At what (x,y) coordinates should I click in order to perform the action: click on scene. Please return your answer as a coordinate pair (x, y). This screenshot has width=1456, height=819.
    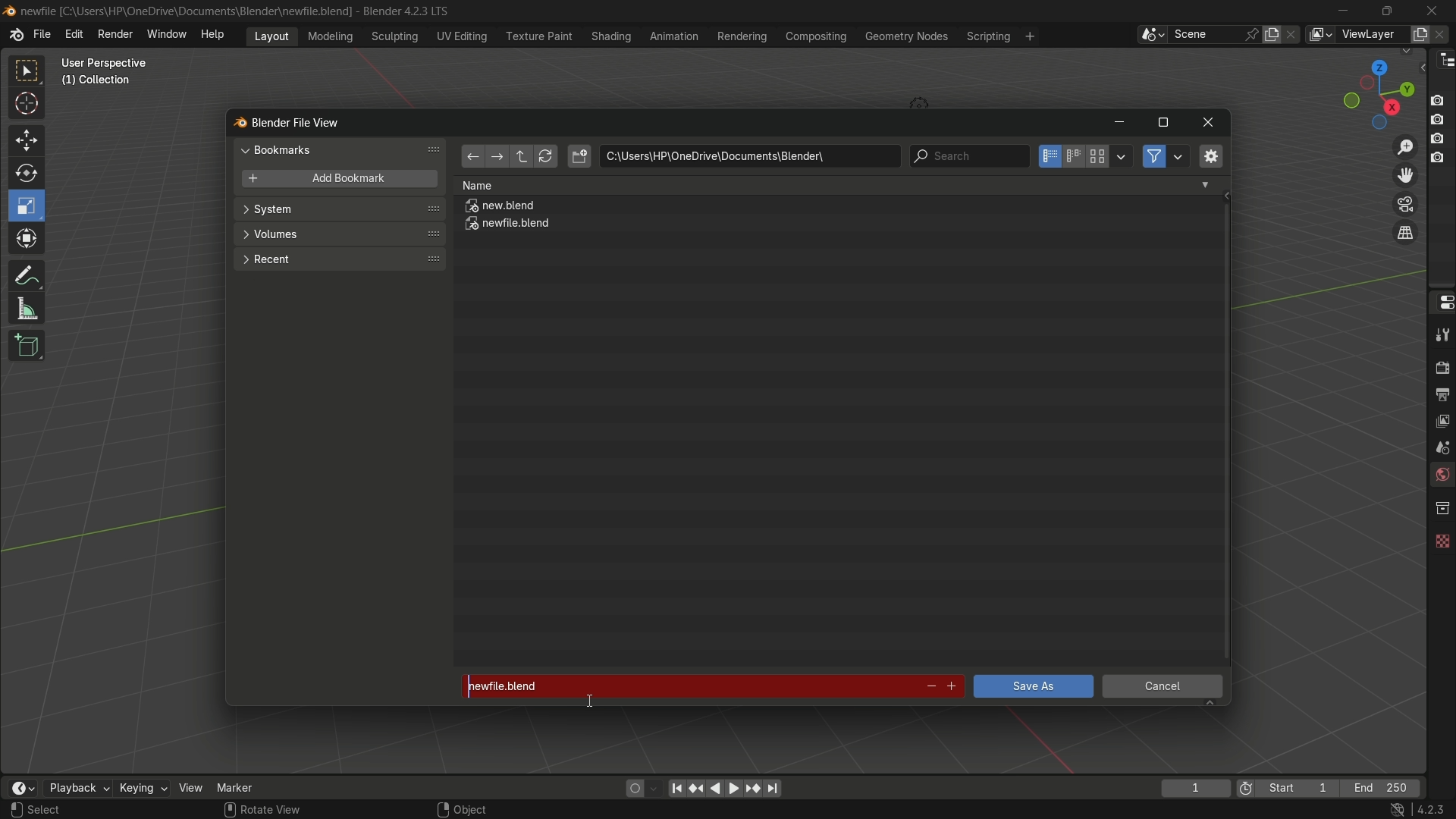
    Looking at the image, I should click on (1439, 447).